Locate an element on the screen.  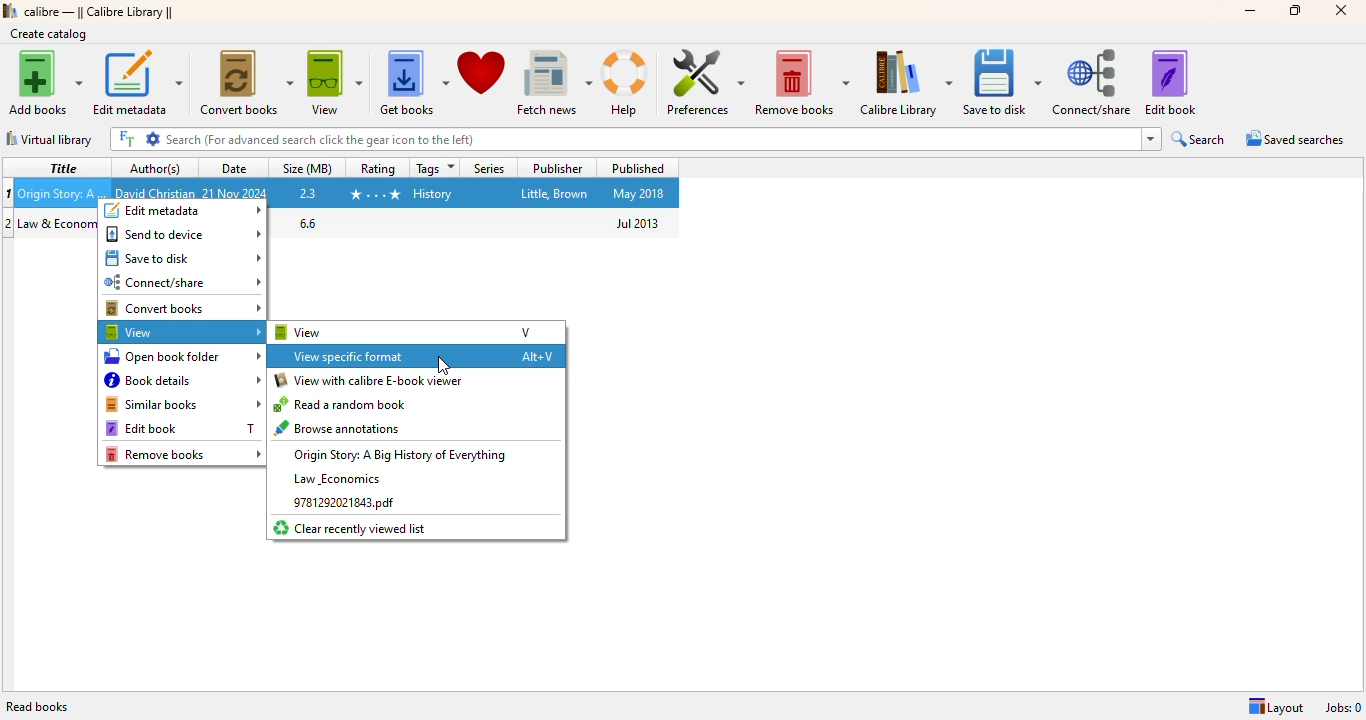
size in mbs is located at coordinates (309, 192).